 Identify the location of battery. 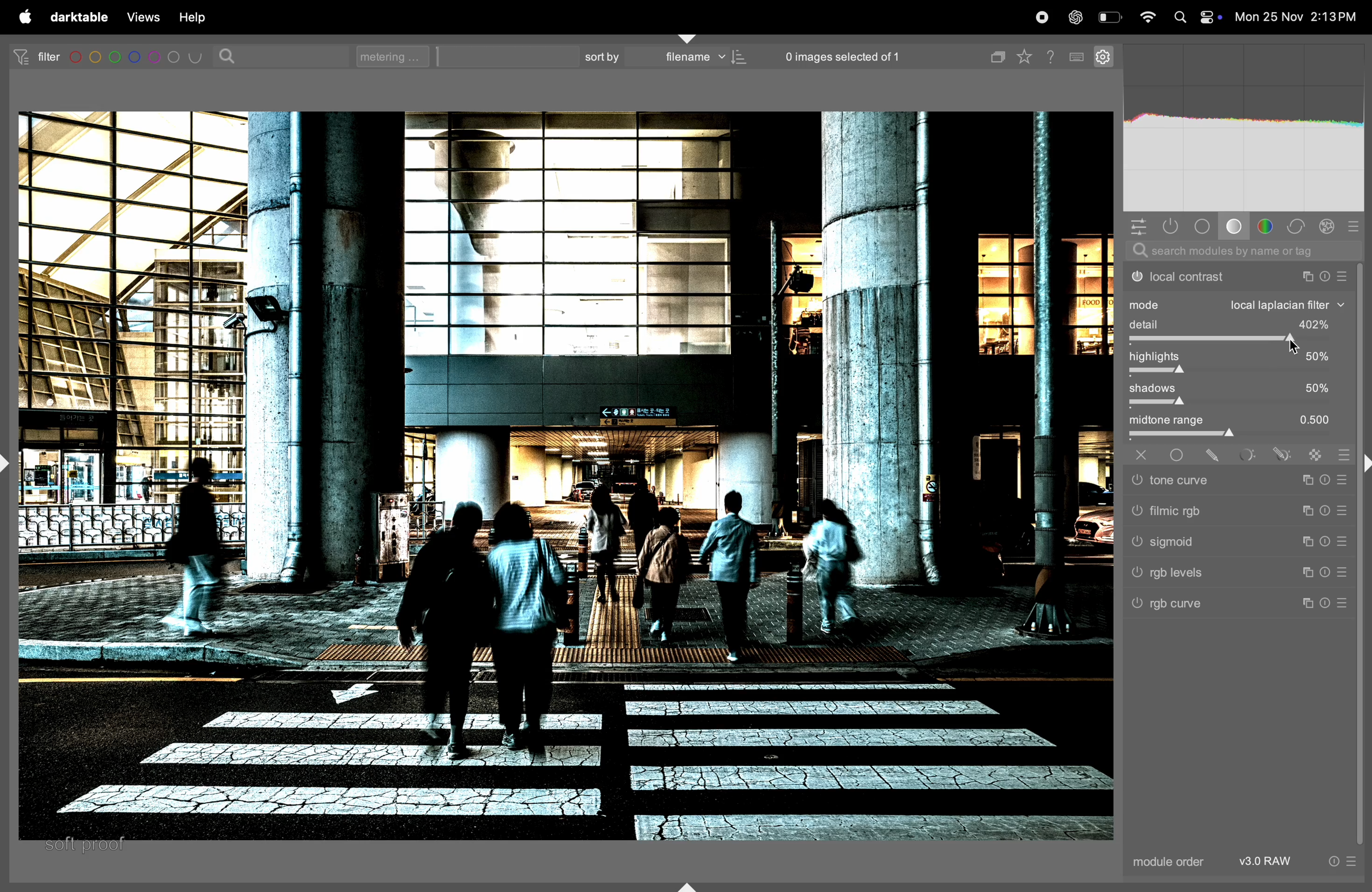
(1110, 16).